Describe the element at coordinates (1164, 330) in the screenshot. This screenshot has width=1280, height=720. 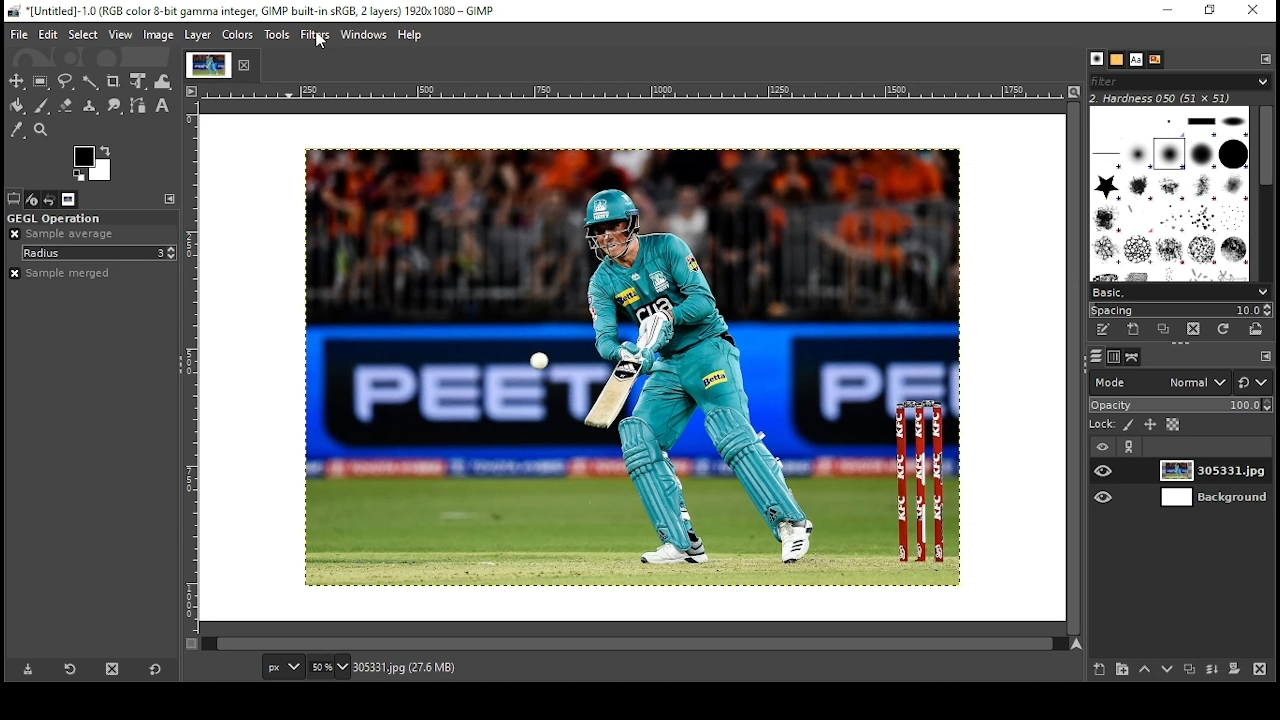
I see `duplicate brush` at that location.